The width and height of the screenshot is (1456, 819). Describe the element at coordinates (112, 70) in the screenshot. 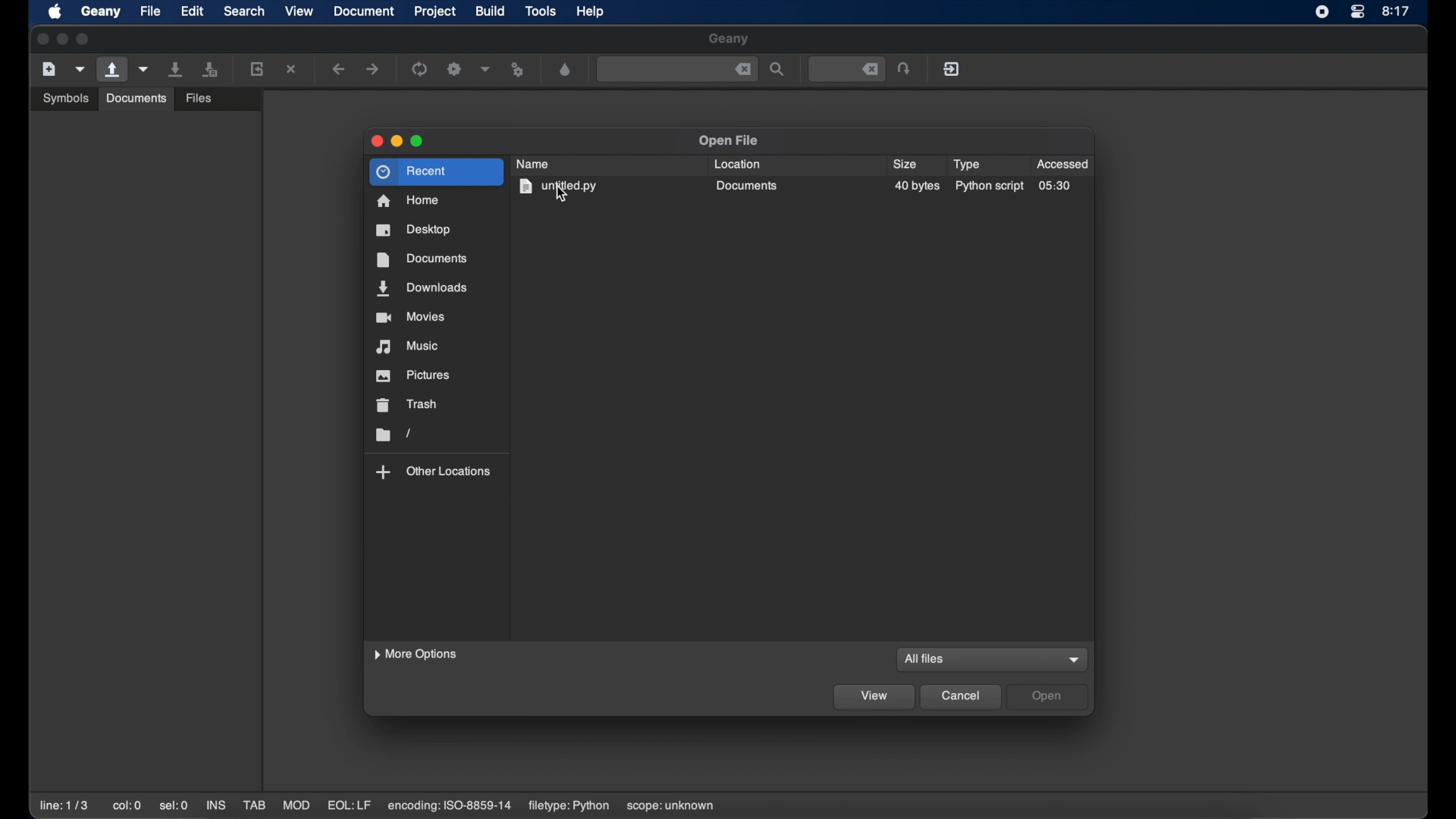

I see `open an existing file` at that location.